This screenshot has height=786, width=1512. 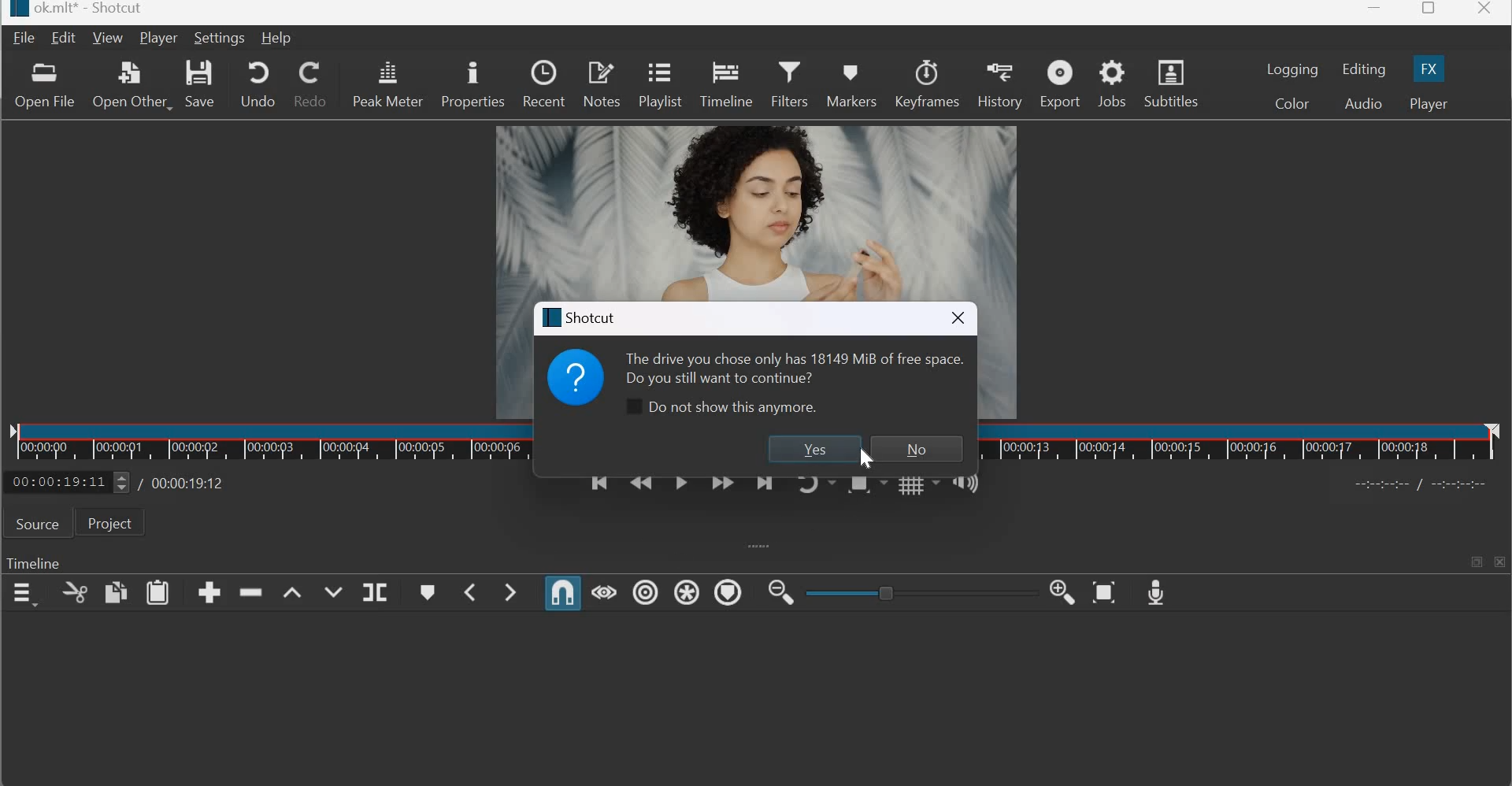 What do you see at coordinates (954, 318) in the screenshot?
I see `close` at bounding box center [954, 318].